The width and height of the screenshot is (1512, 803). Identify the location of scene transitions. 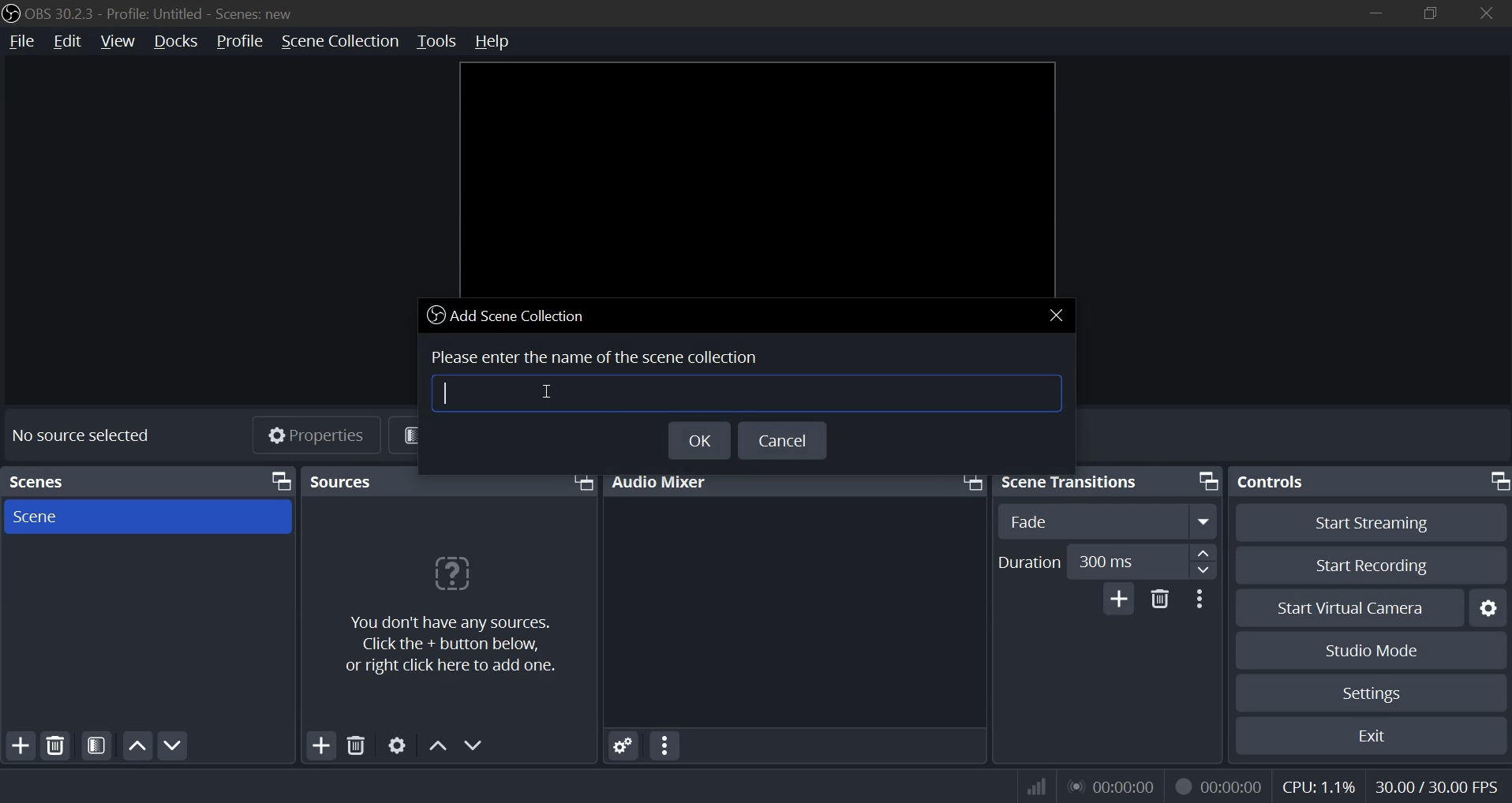
(1076, 481).